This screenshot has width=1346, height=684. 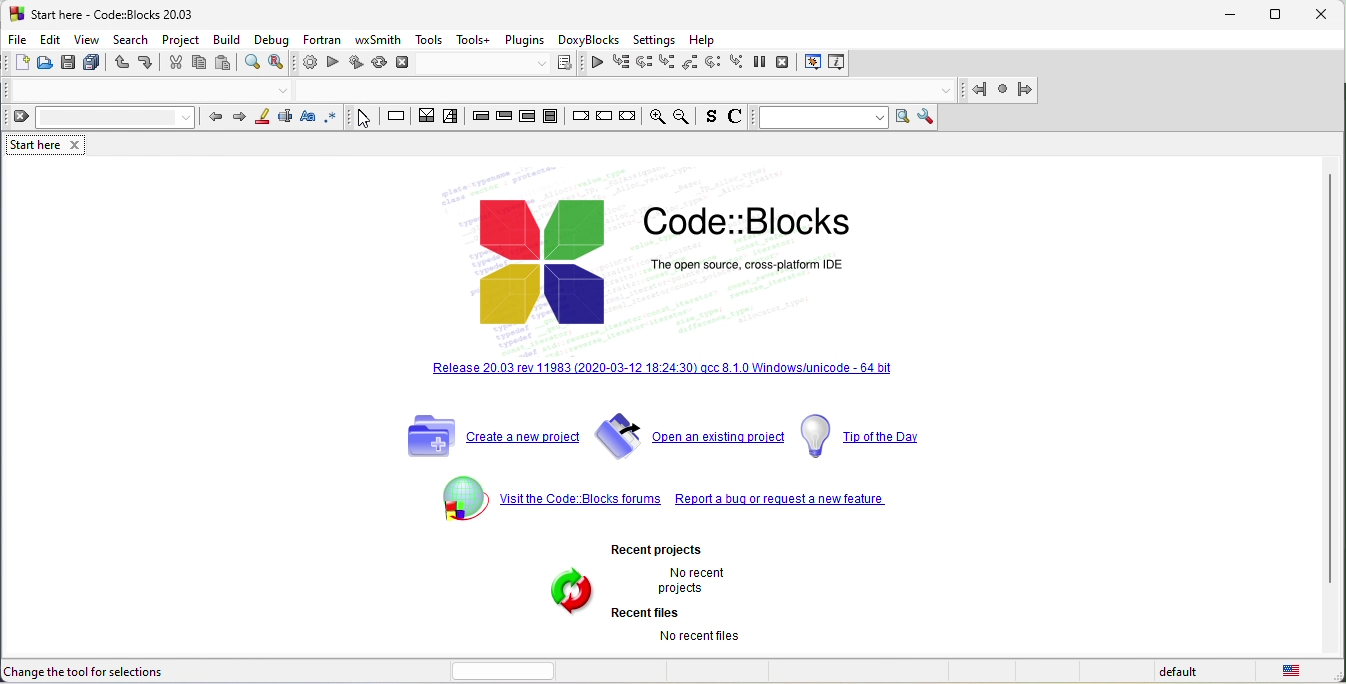 I want to click on cut, so click(x=176, y=64).